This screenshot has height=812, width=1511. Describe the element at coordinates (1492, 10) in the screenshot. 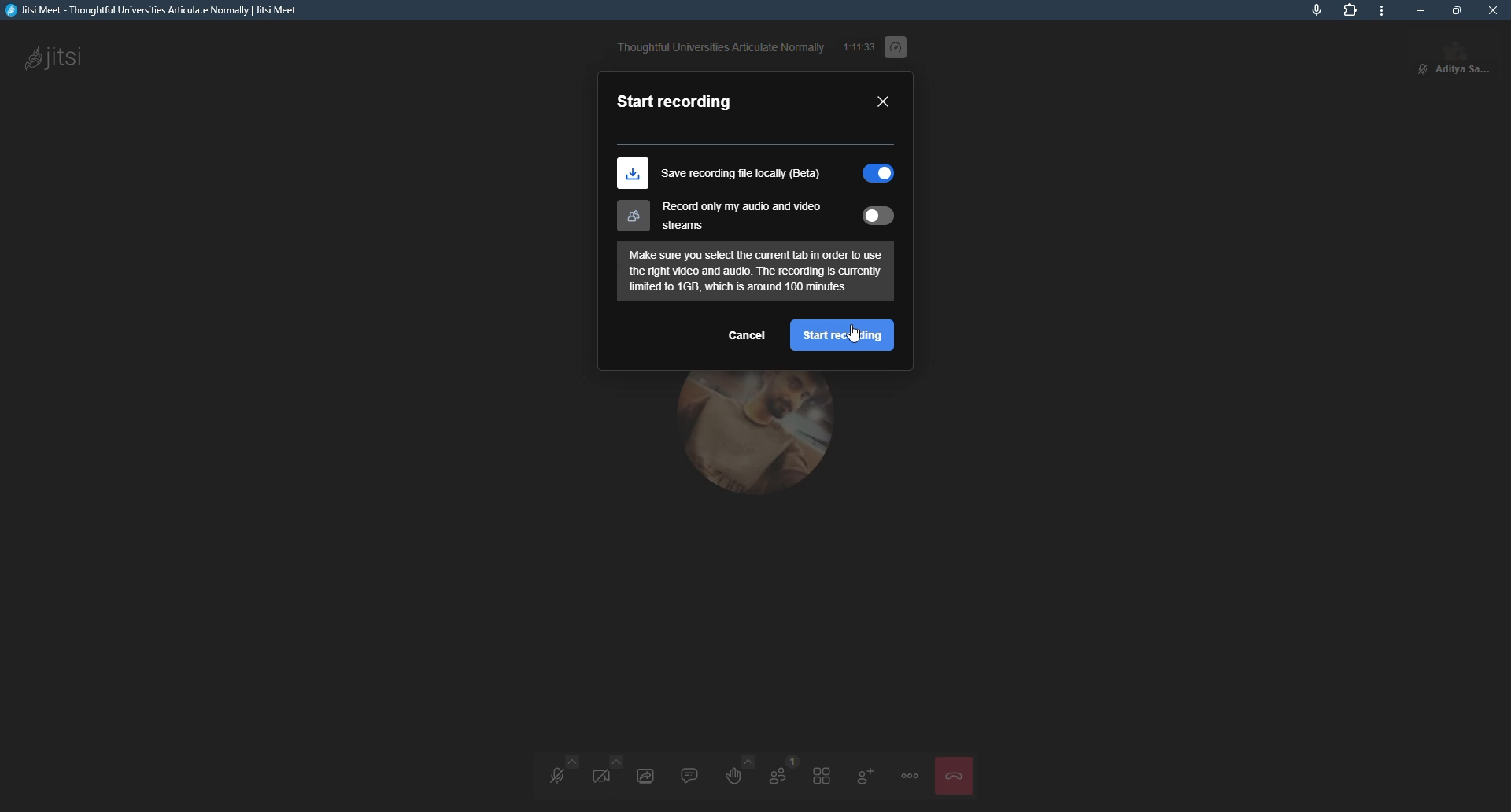

I see `close` at that location.